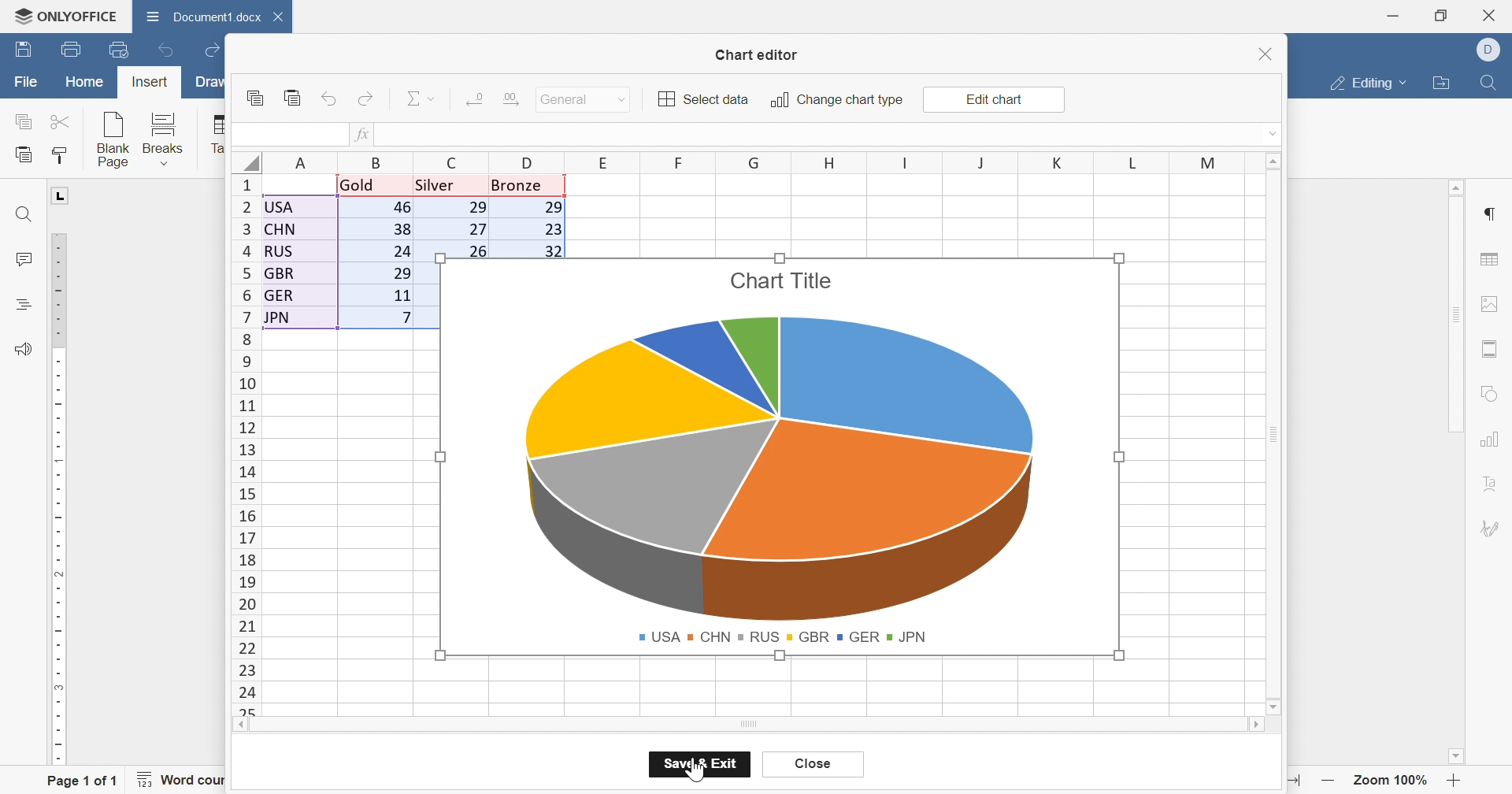 This screenshot has height=794, width=1512. What do you see at coordinates (703, 763) in the screenshot?
I see `Save & Exit` at bounding box center [703, 763].